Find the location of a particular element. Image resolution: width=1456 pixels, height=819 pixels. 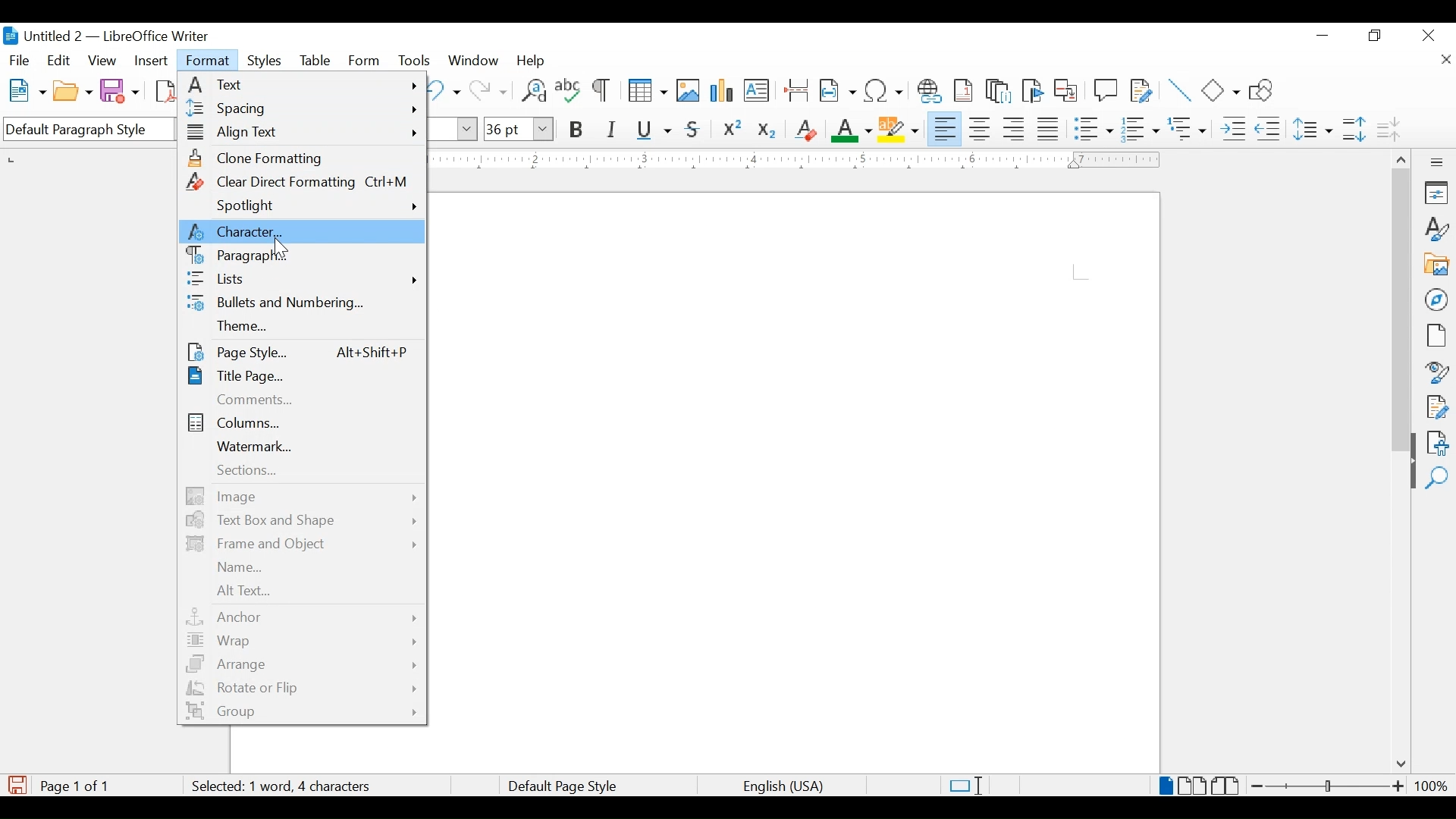

title page is located at coordinates (237, 375).